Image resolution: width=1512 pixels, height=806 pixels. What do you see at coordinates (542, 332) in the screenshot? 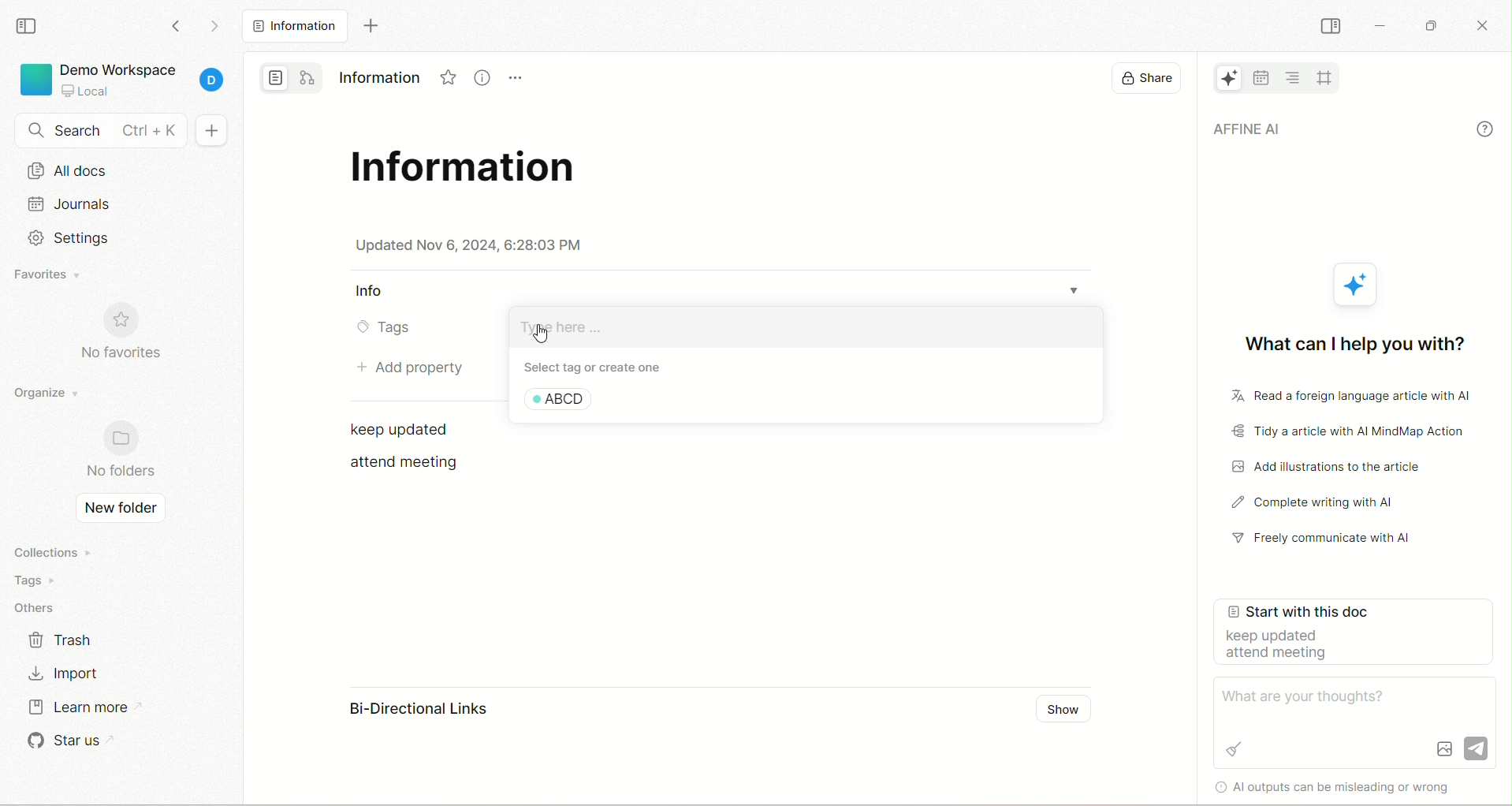
I see `cursor` at bounding box center [542, 332].